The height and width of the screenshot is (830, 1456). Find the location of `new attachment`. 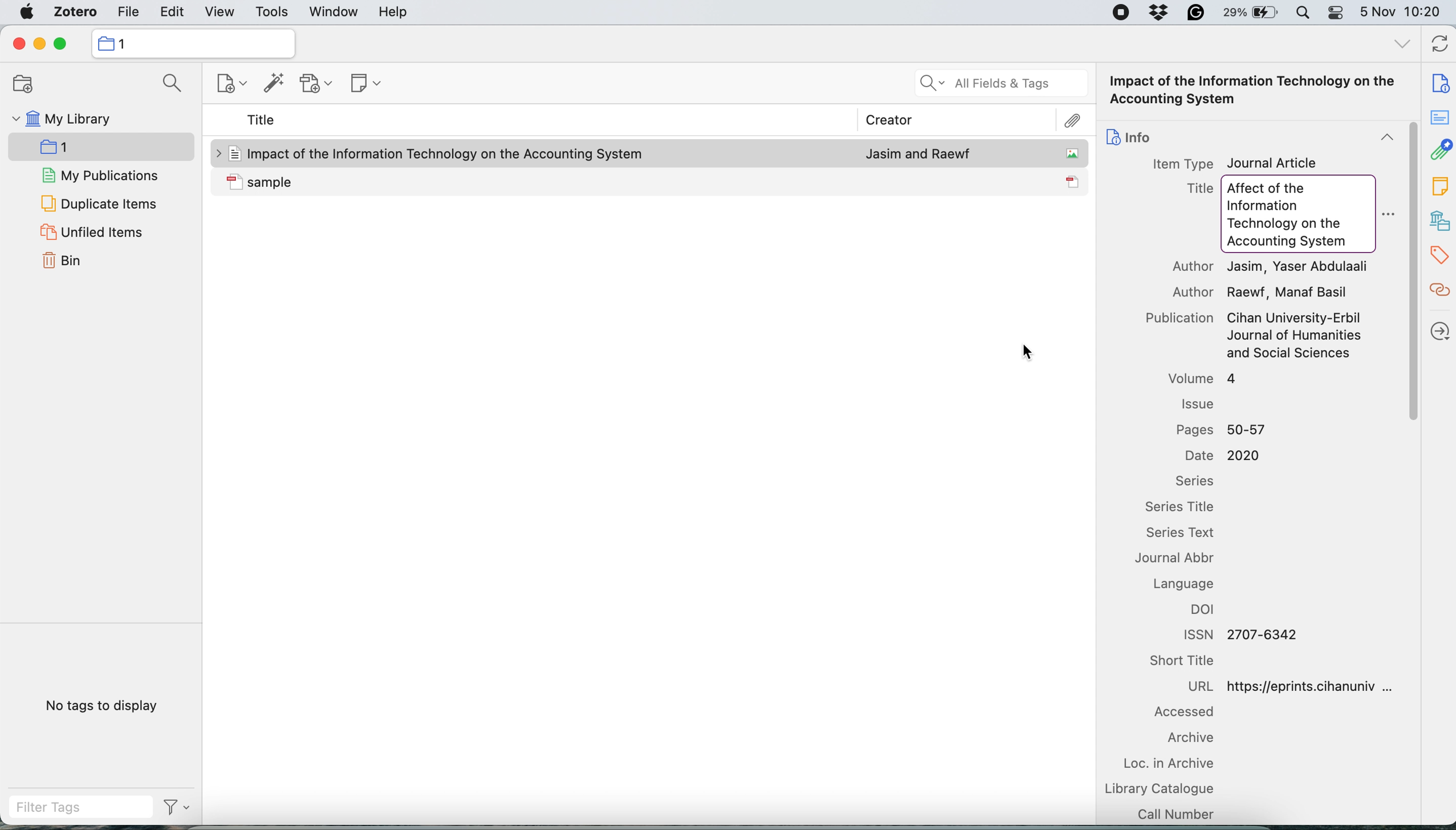

new attachment is located at coordinates (316, 85).